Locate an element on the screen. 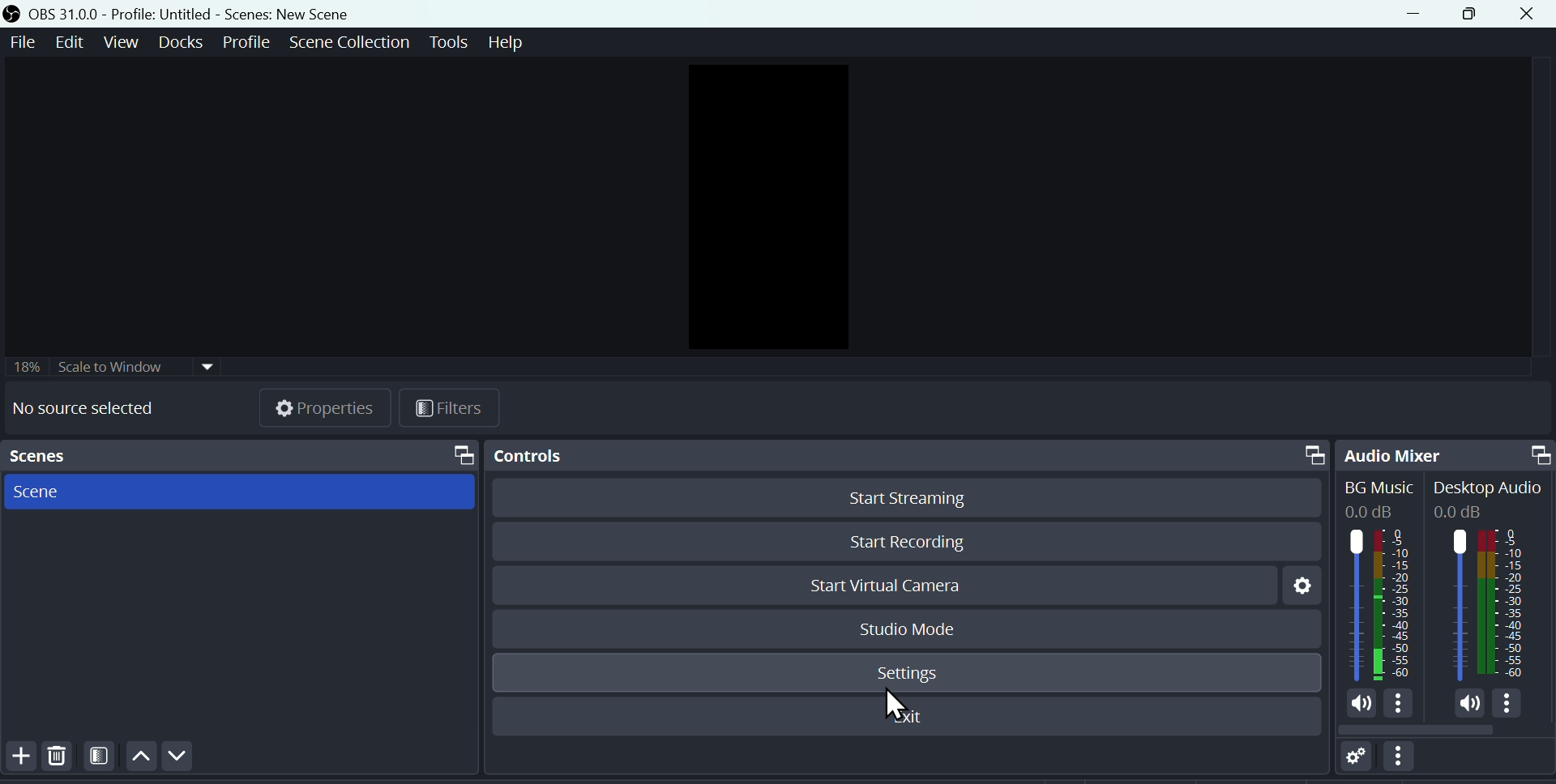   Scale to window is located at coordinates (118, 366).